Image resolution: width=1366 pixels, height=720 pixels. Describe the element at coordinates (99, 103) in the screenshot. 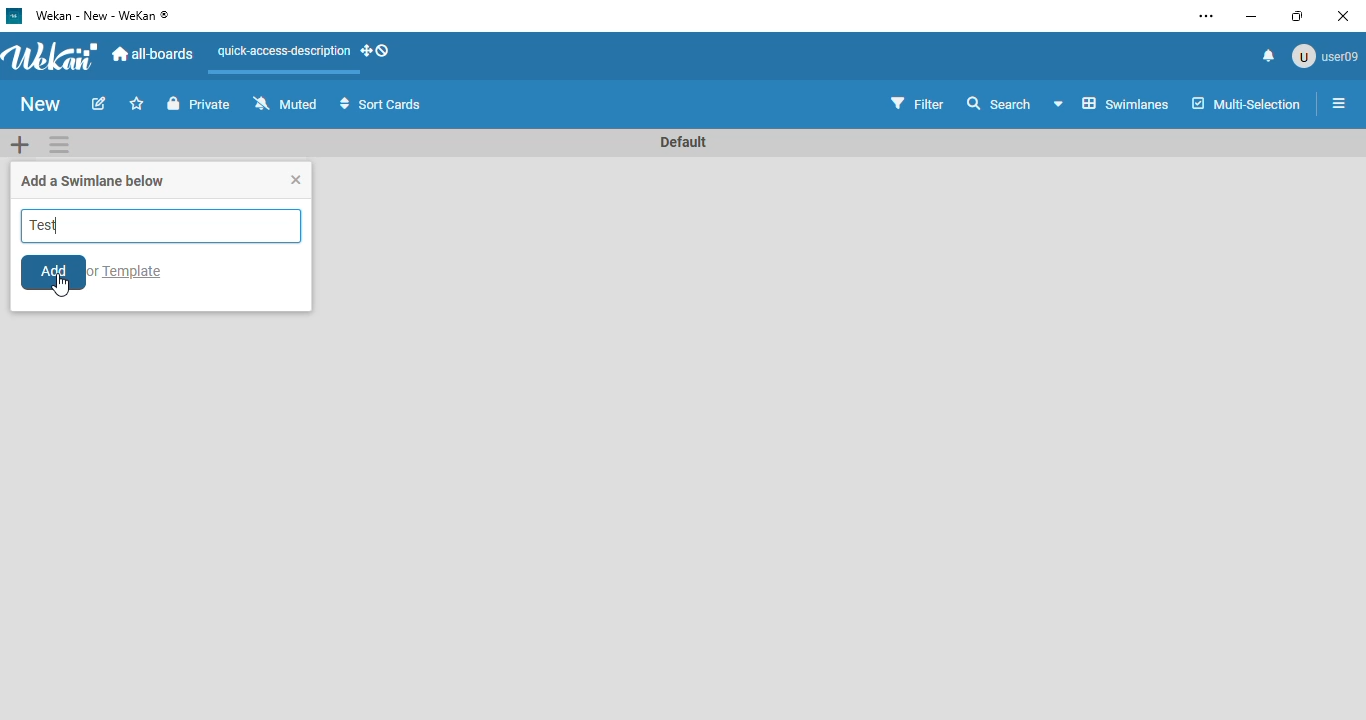

I see `edit` at that location.